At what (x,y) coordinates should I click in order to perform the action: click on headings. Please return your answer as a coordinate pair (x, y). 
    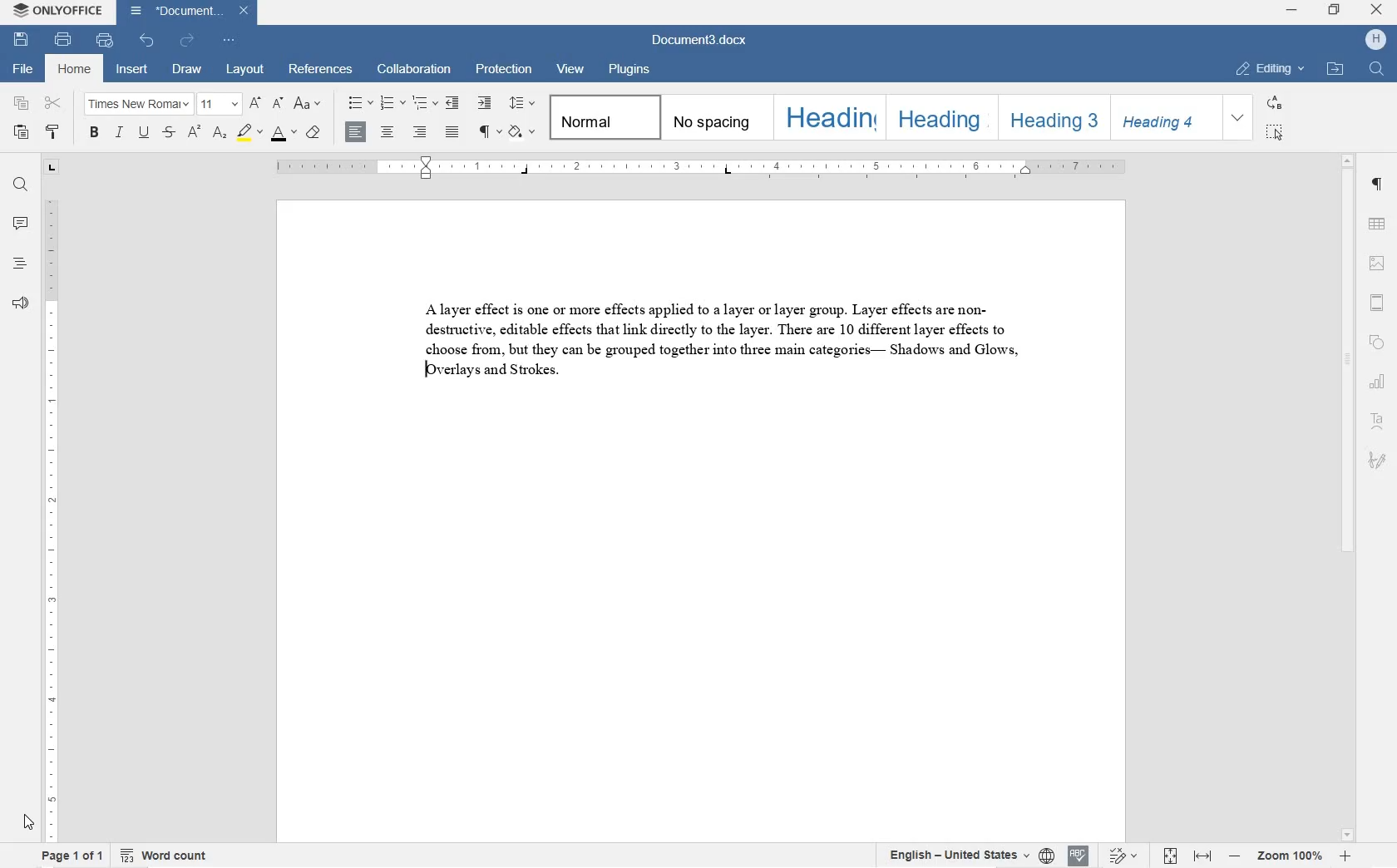
    Looking at the image, I should click on (21, 264).